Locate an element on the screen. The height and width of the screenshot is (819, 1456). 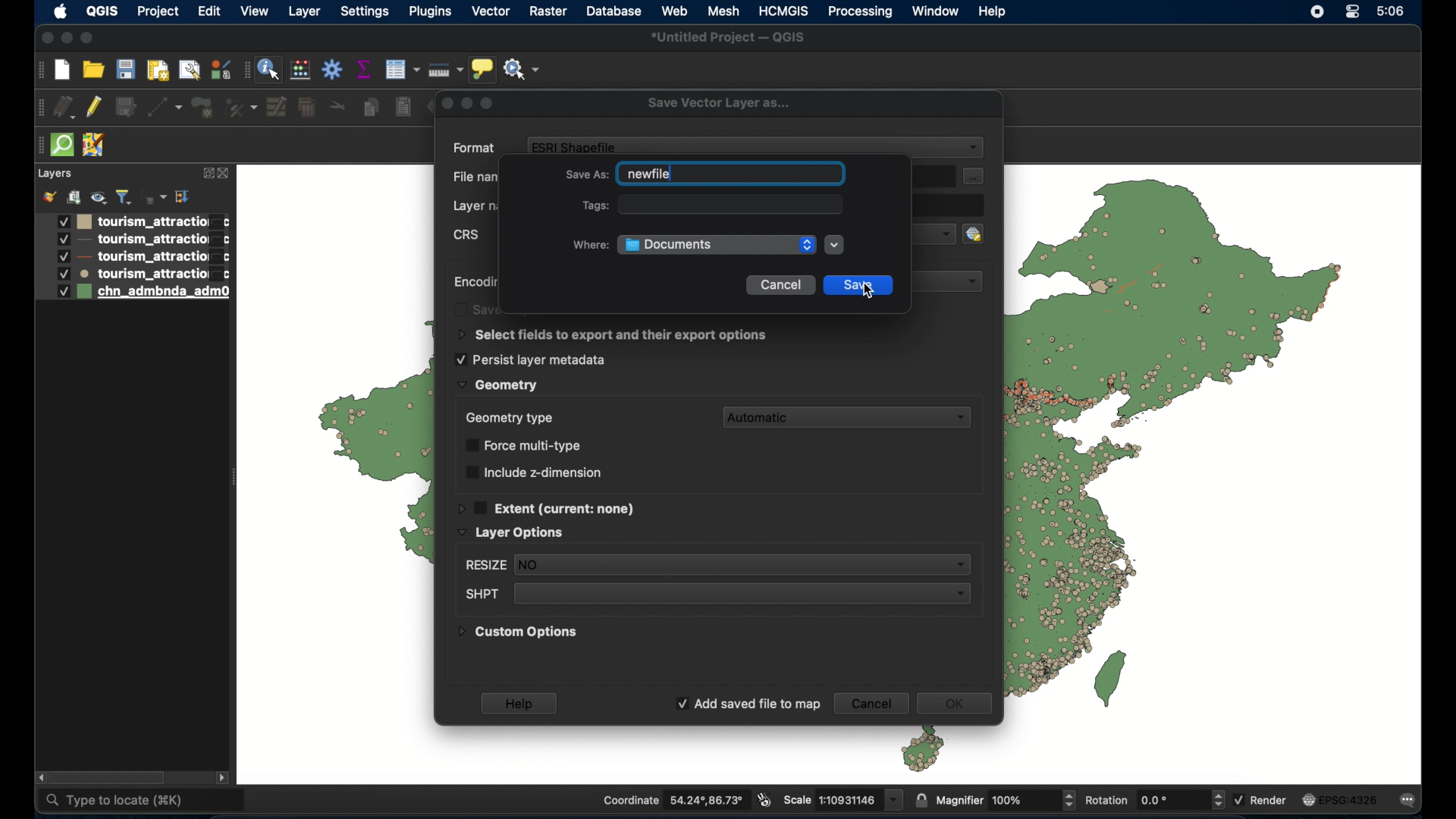
minimize is located at coordinates (67, 39).